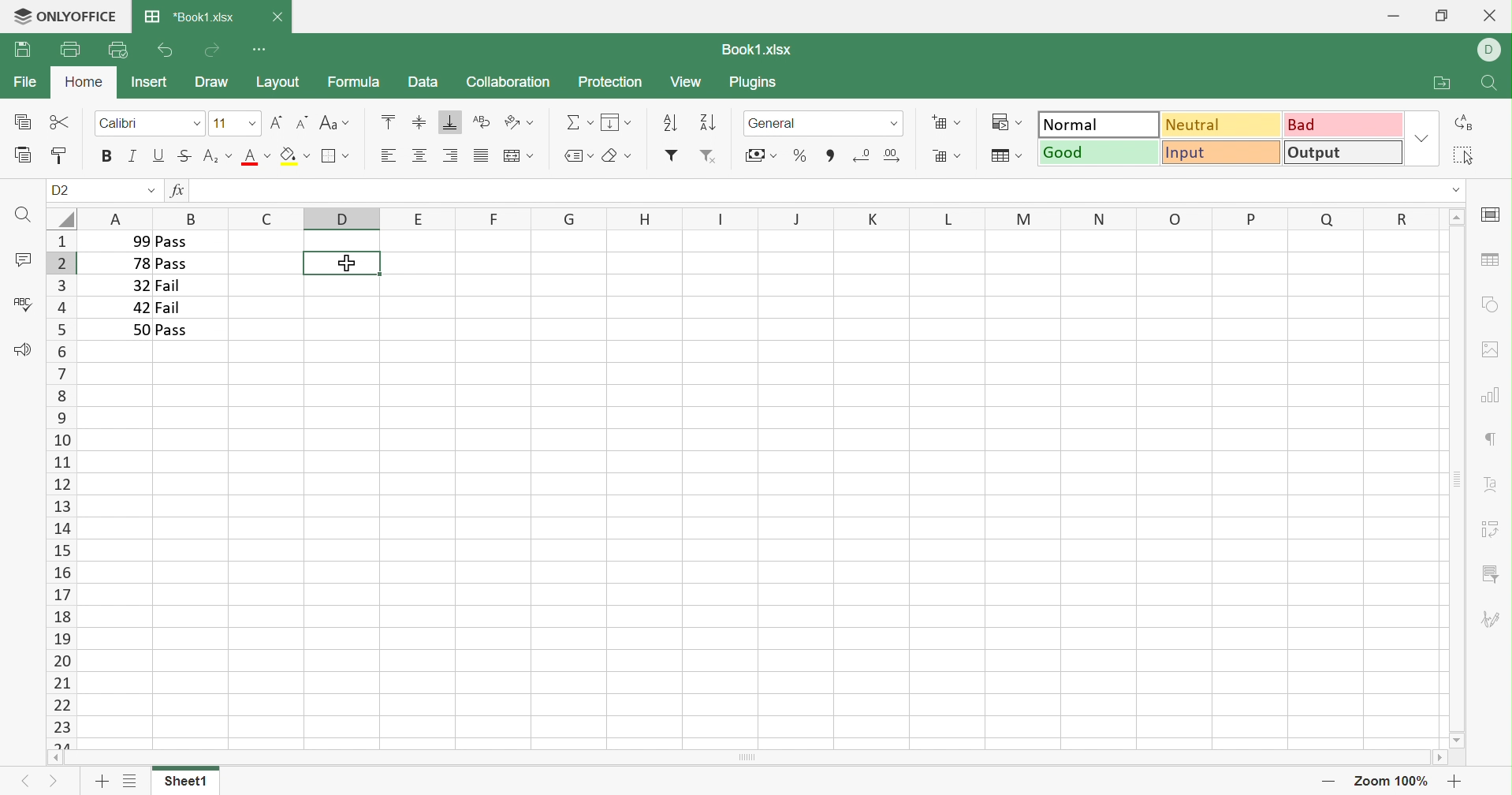 This screenshot has height=795, width=1512. I want to click on Spell checking, so click(23, 304).